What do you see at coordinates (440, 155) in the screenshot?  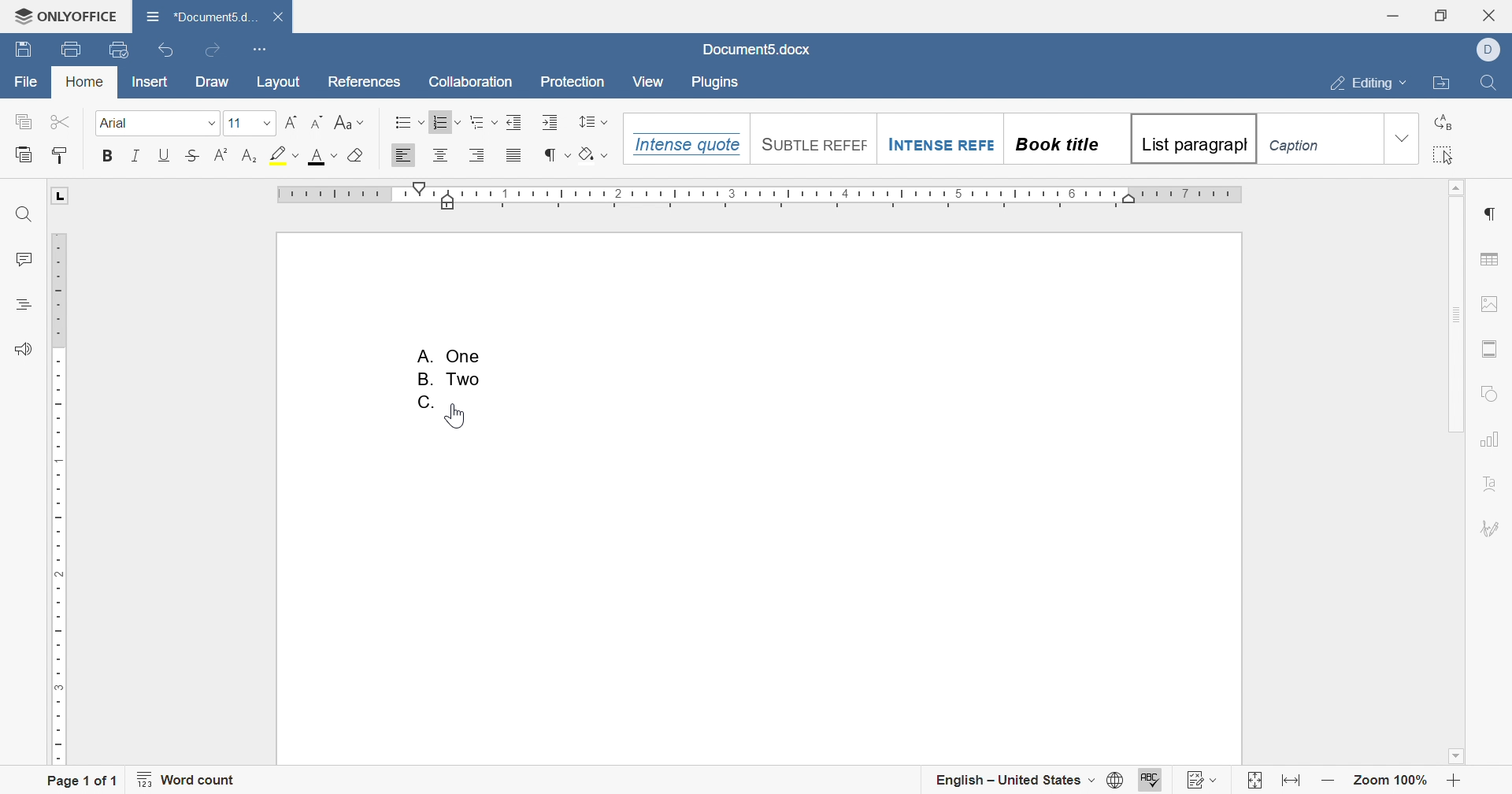 I see `Align Center` at bounding box center [440, 155].